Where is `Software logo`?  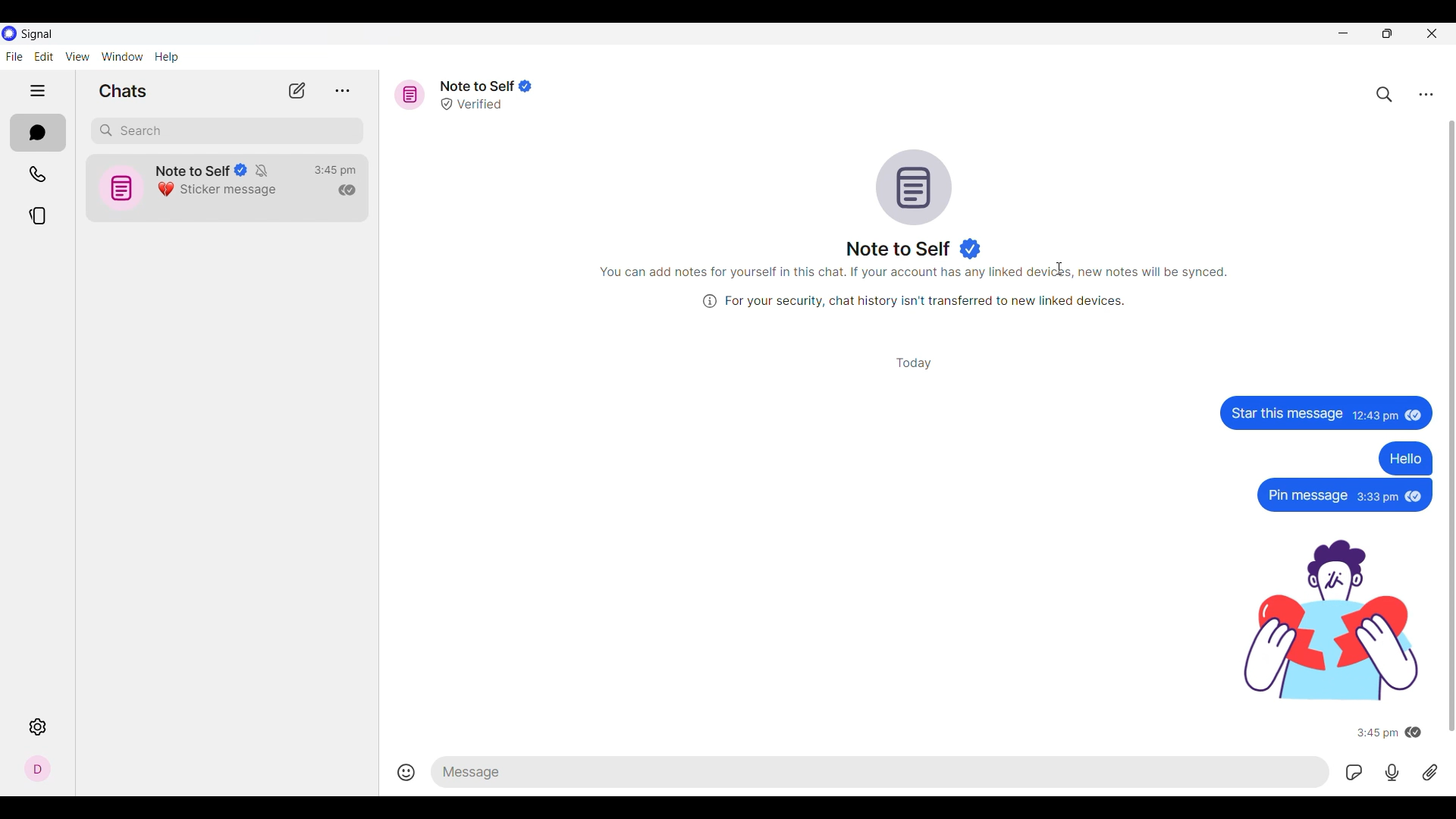 Software logo is located at coordinates (9, 33).